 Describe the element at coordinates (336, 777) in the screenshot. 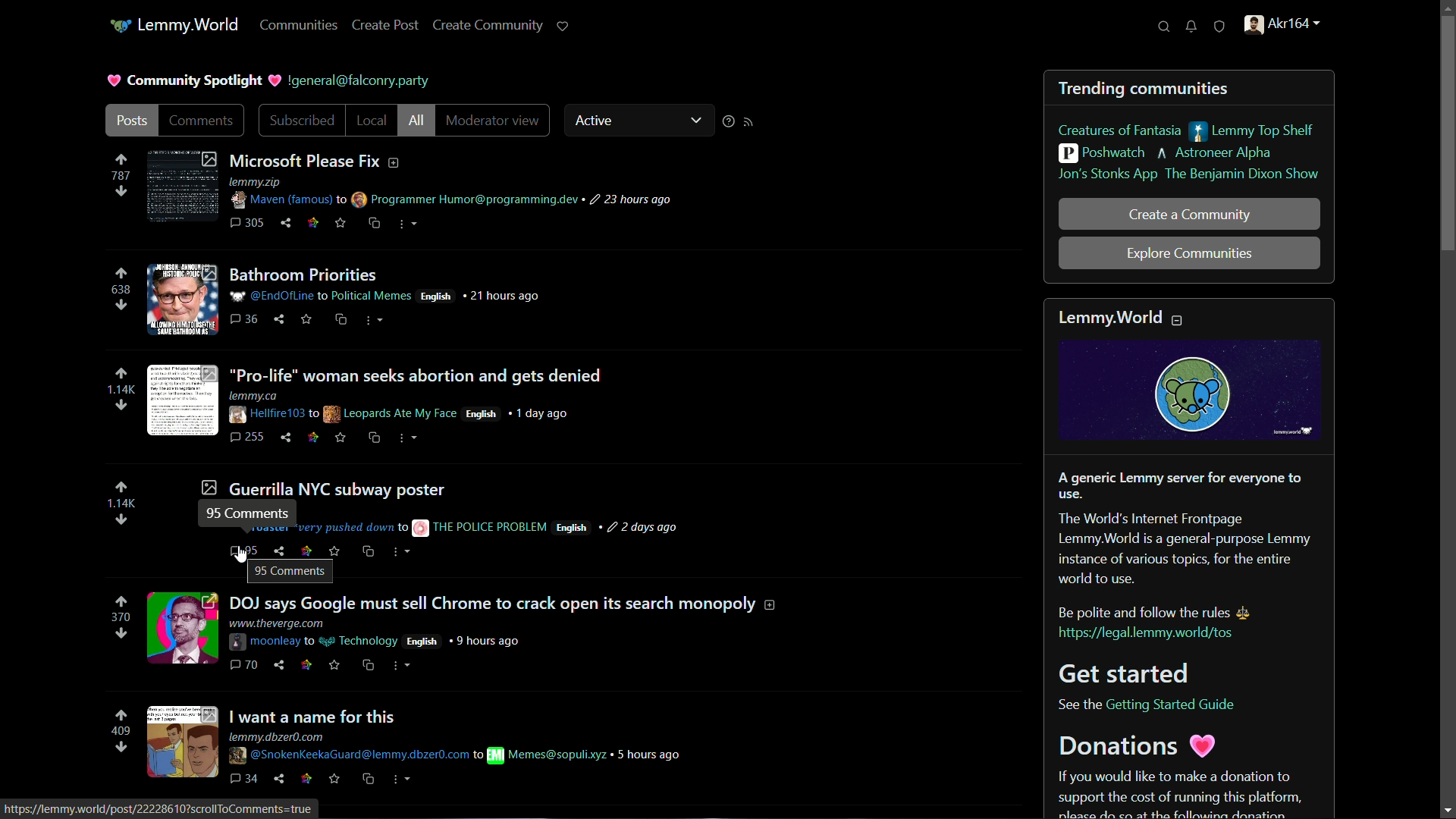

I see `save` at that location.